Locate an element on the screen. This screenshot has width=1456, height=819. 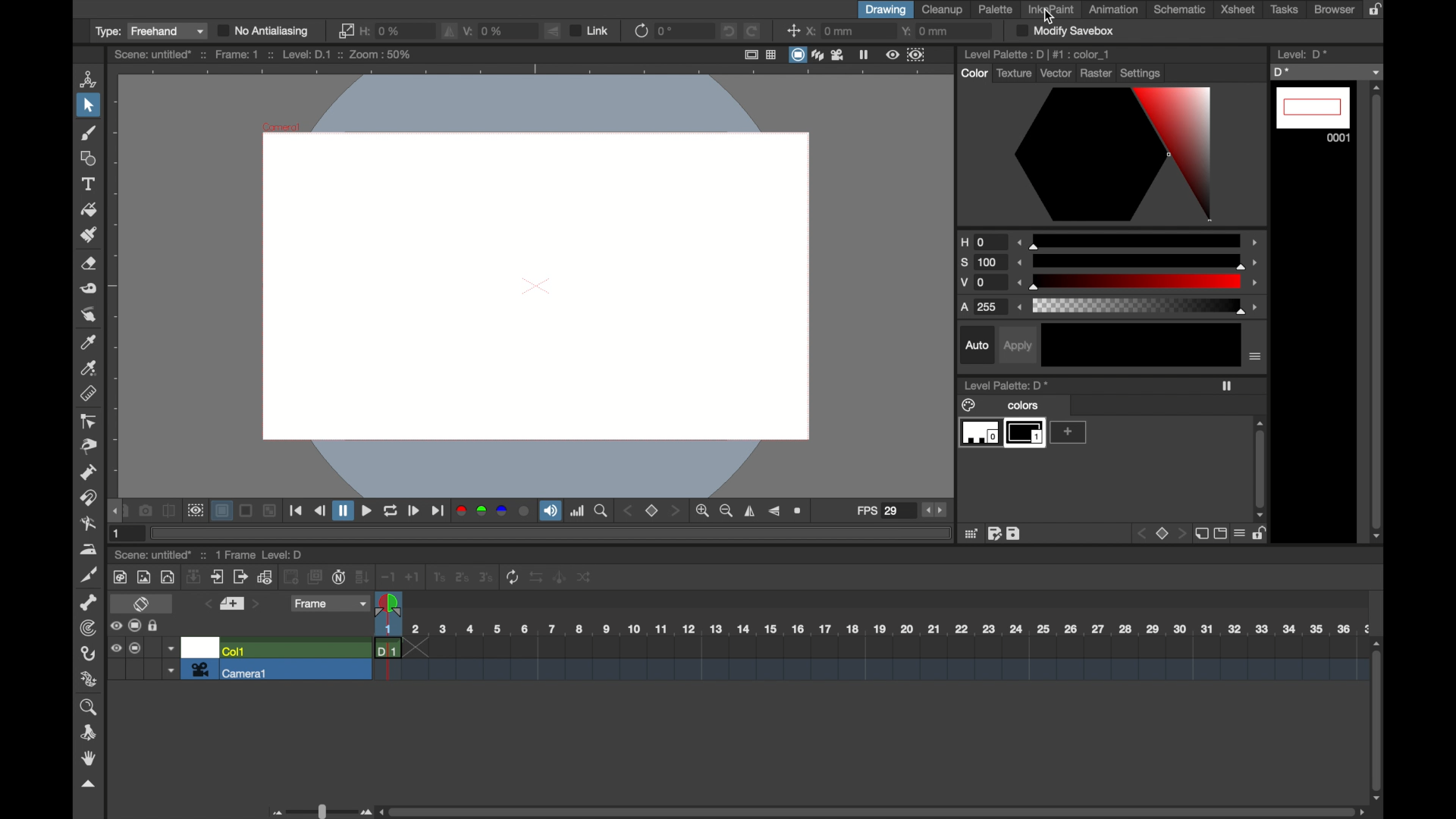
auto is located at coordinates (977, 344).